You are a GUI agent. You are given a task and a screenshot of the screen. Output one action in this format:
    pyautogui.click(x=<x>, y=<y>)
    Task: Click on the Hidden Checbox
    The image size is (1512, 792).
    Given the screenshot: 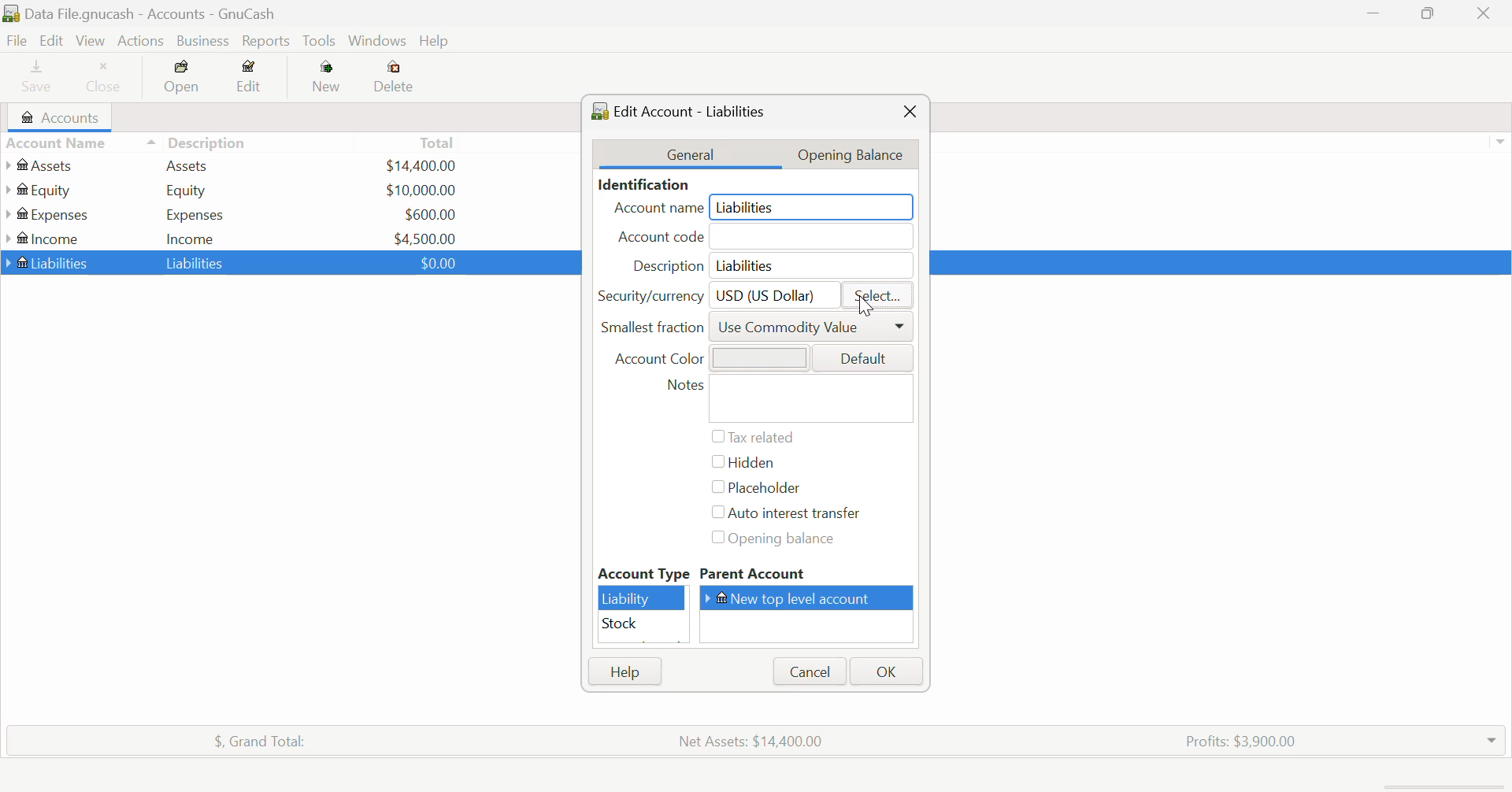 What is the action you would take?
    pyautogui.click(x=741, y=465)
    